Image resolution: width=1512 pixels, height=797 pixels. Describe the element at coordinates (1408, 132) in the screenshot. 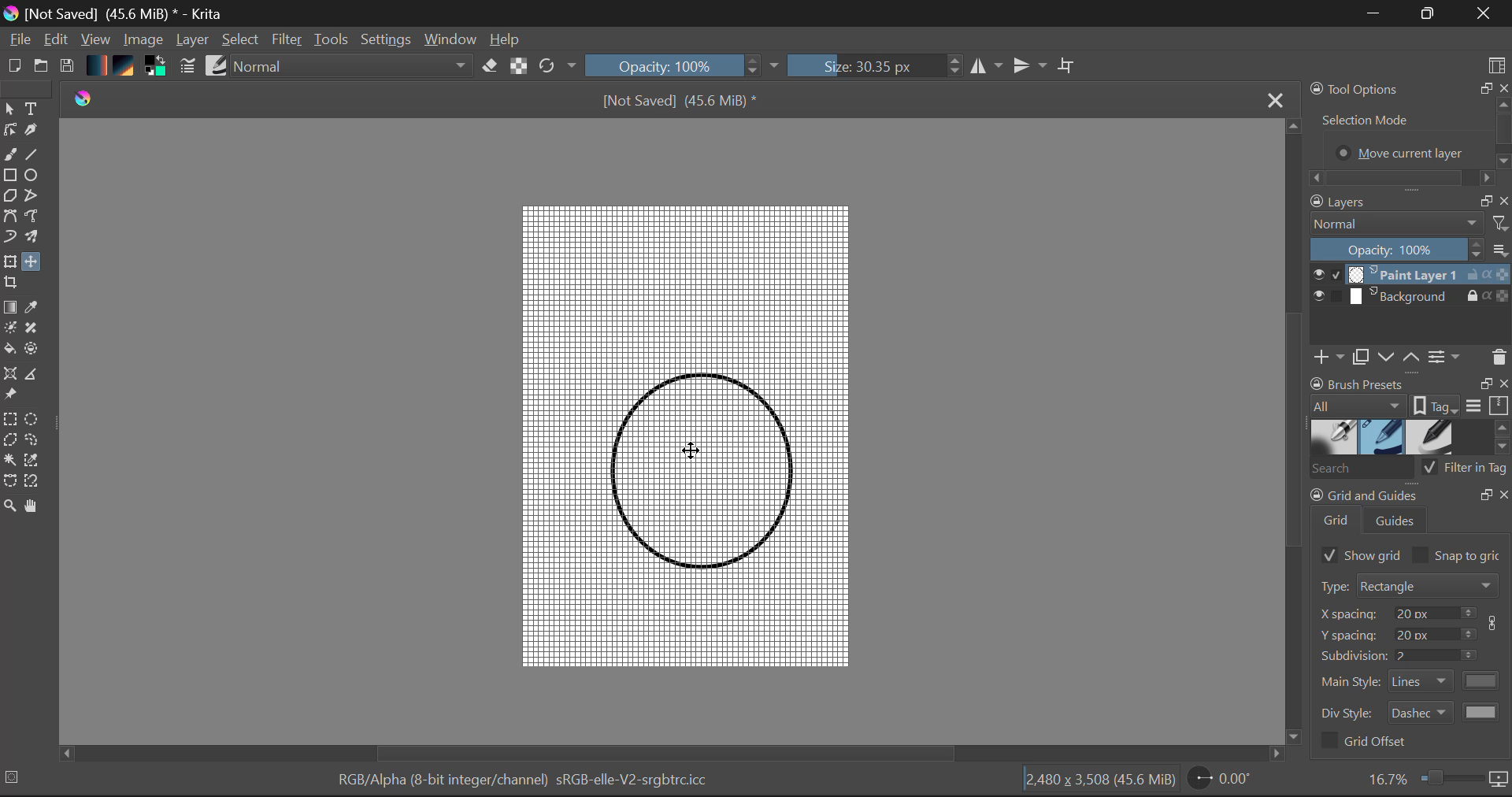

I see `Tool Options` at that location.